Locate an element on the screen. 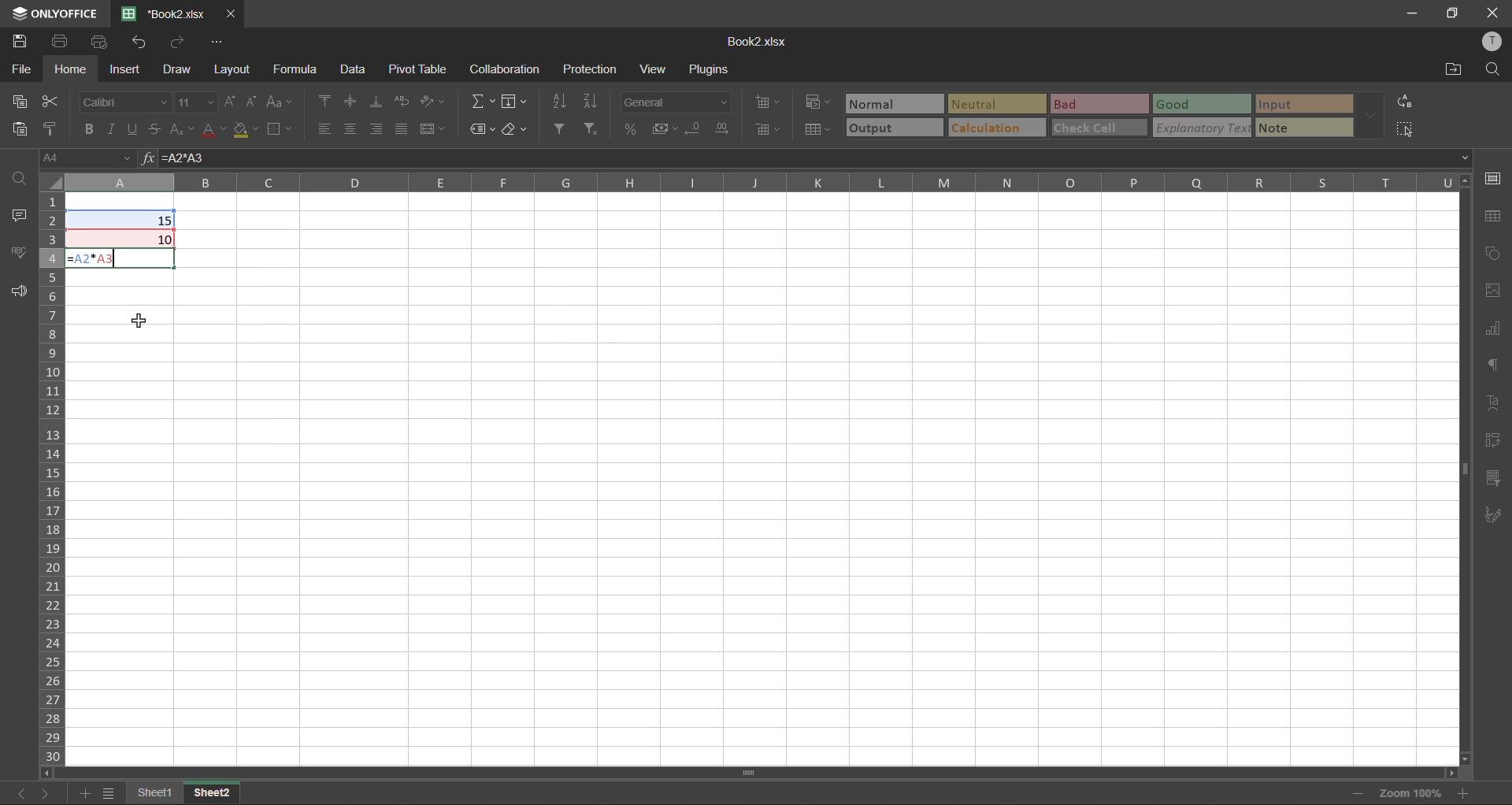 The image size is (1512, 805). fontstyle is located at coordinates (123, 100).